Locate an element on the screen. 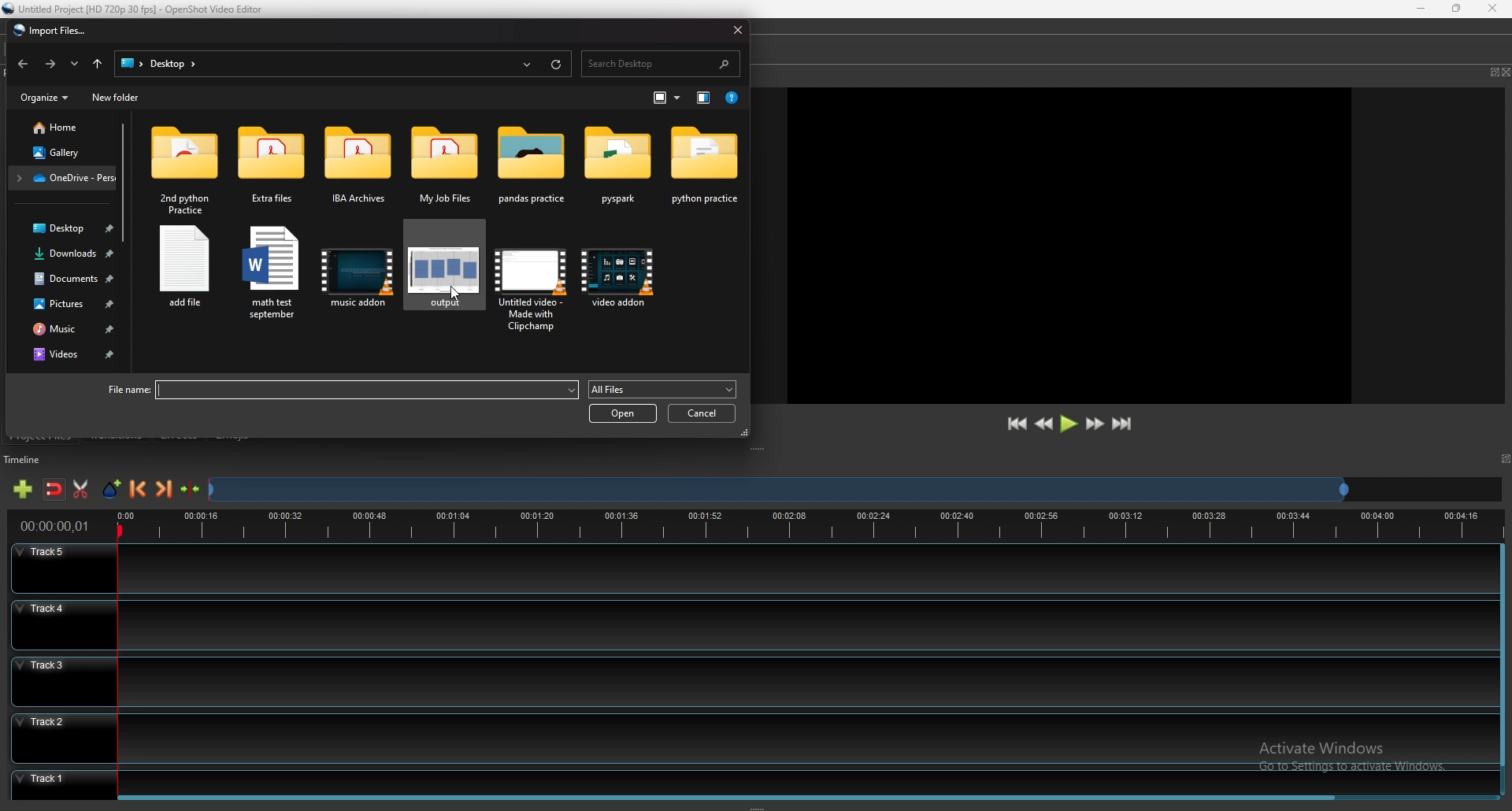  cancel is located at coordinates (702, 413).